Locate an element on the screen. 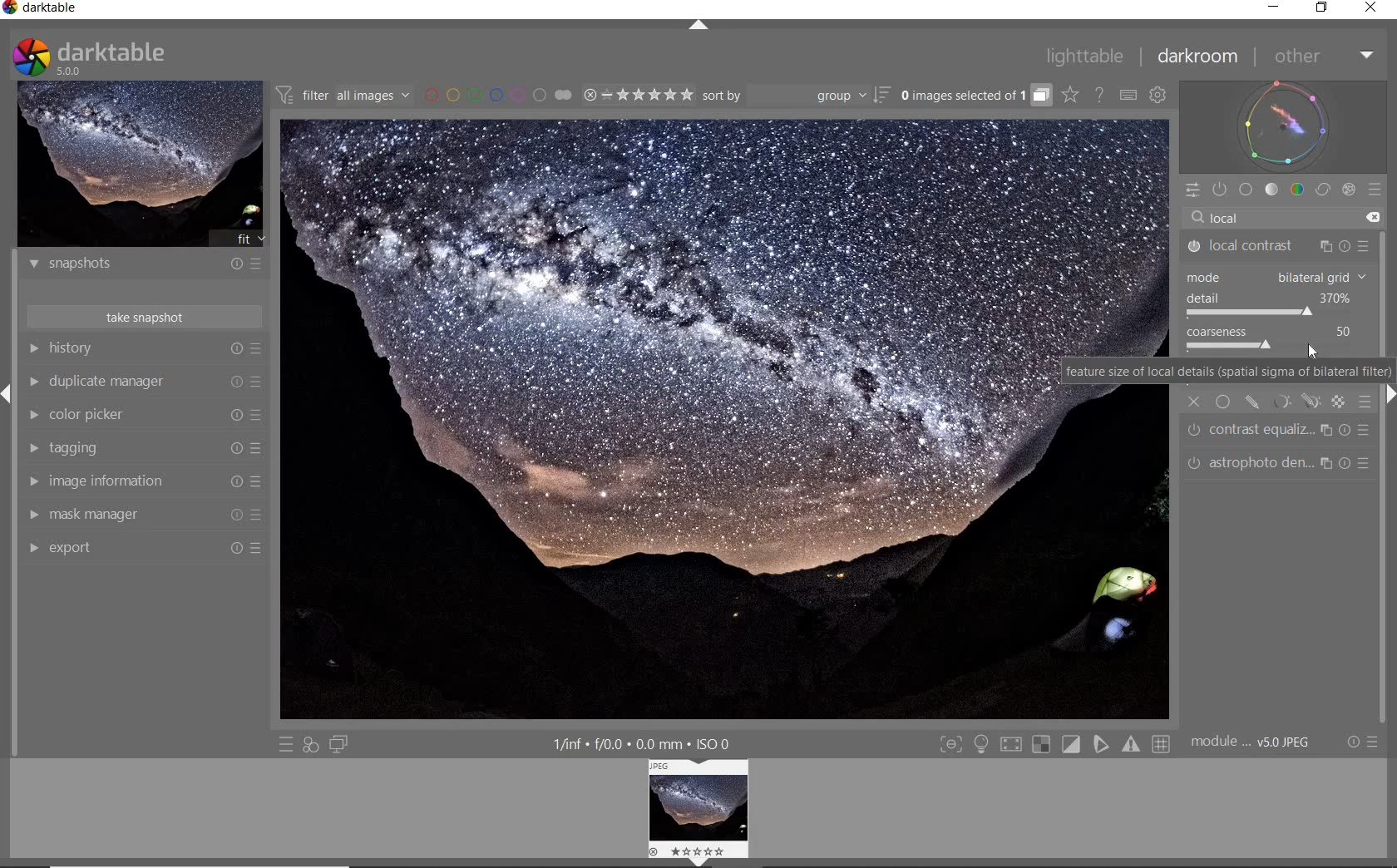 Image resolution: width=1397 pixels, height=868 pixels. COLOR is located at coordinates (1298, 190).